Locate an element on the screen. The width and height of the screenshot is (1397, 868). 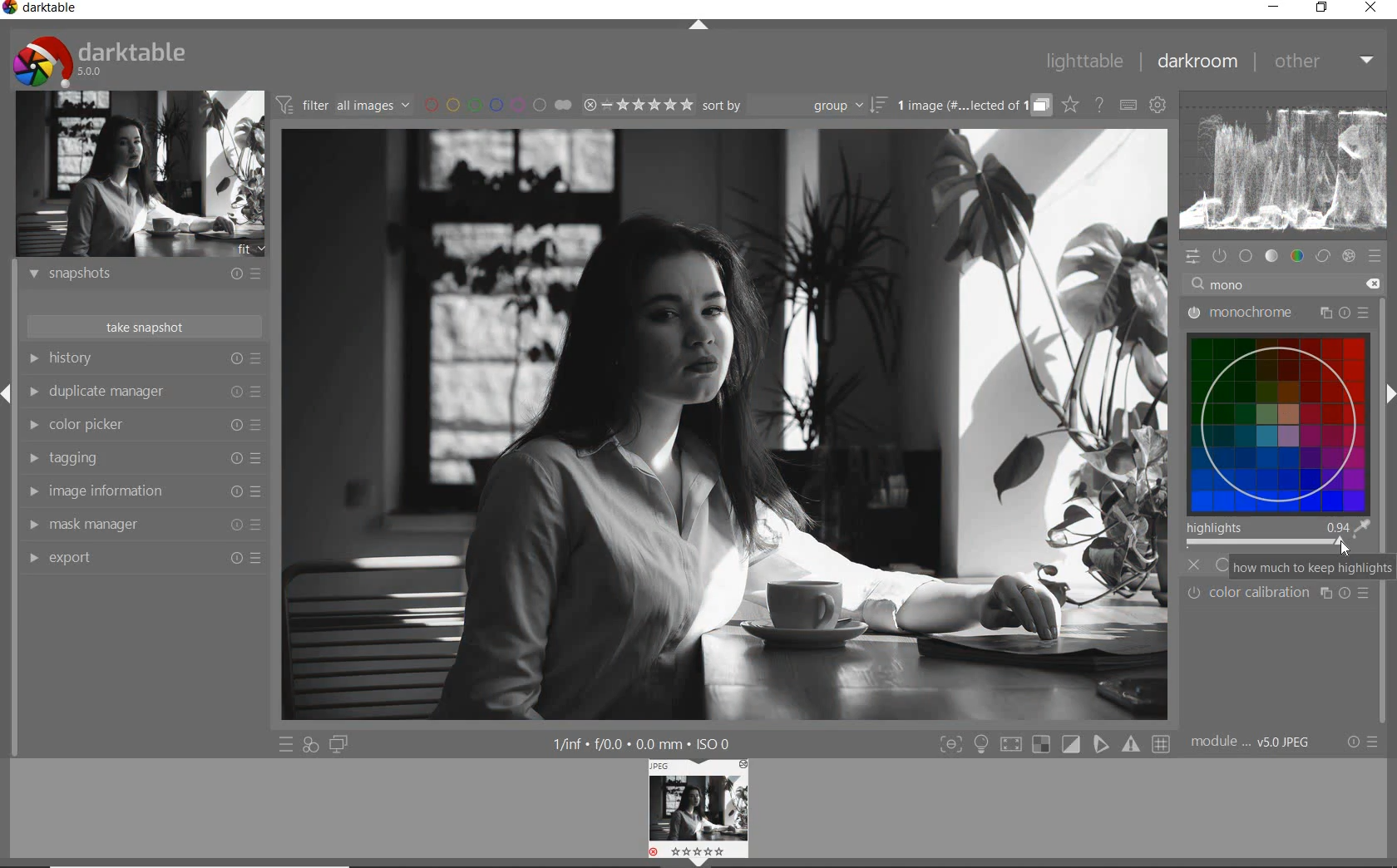
Expand/Collapse is located at coordinates (1389, 394).